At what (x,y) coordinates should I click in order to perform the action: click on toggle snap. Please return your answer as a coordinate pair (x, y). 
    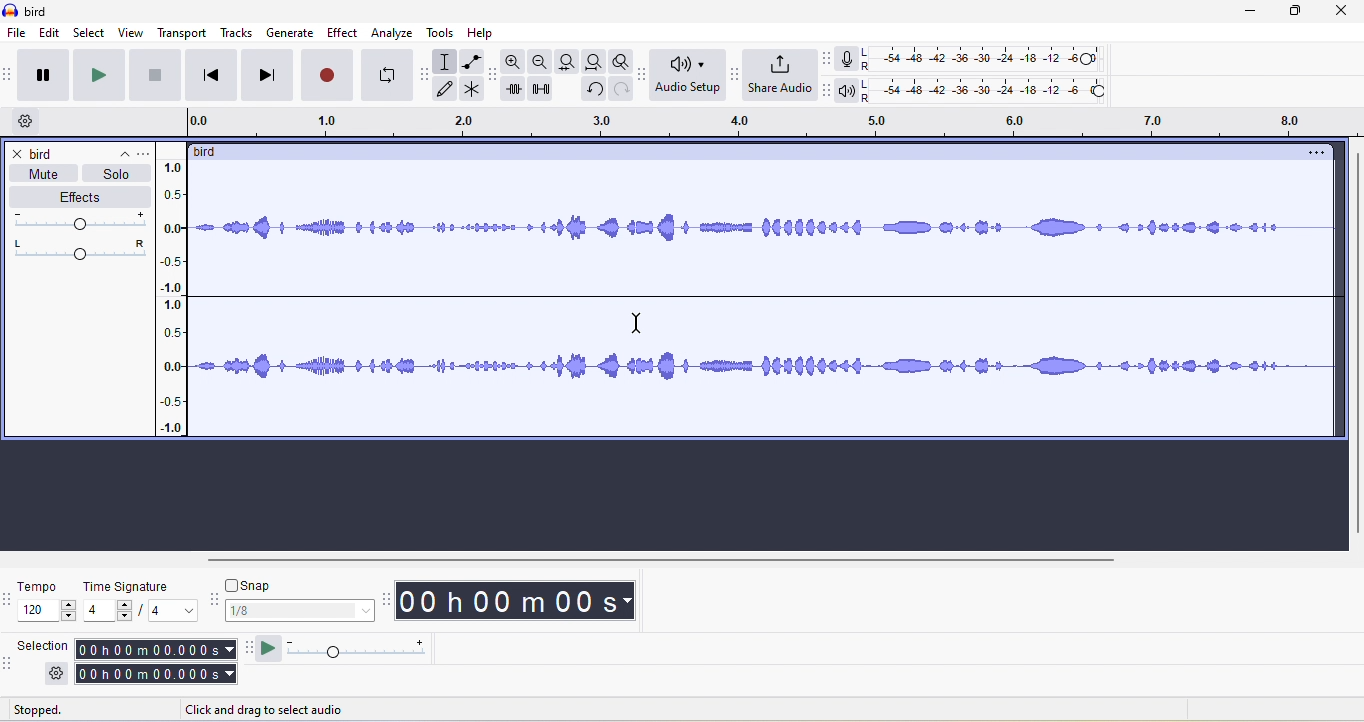
    Looking at the image, I should click on (253, 584).